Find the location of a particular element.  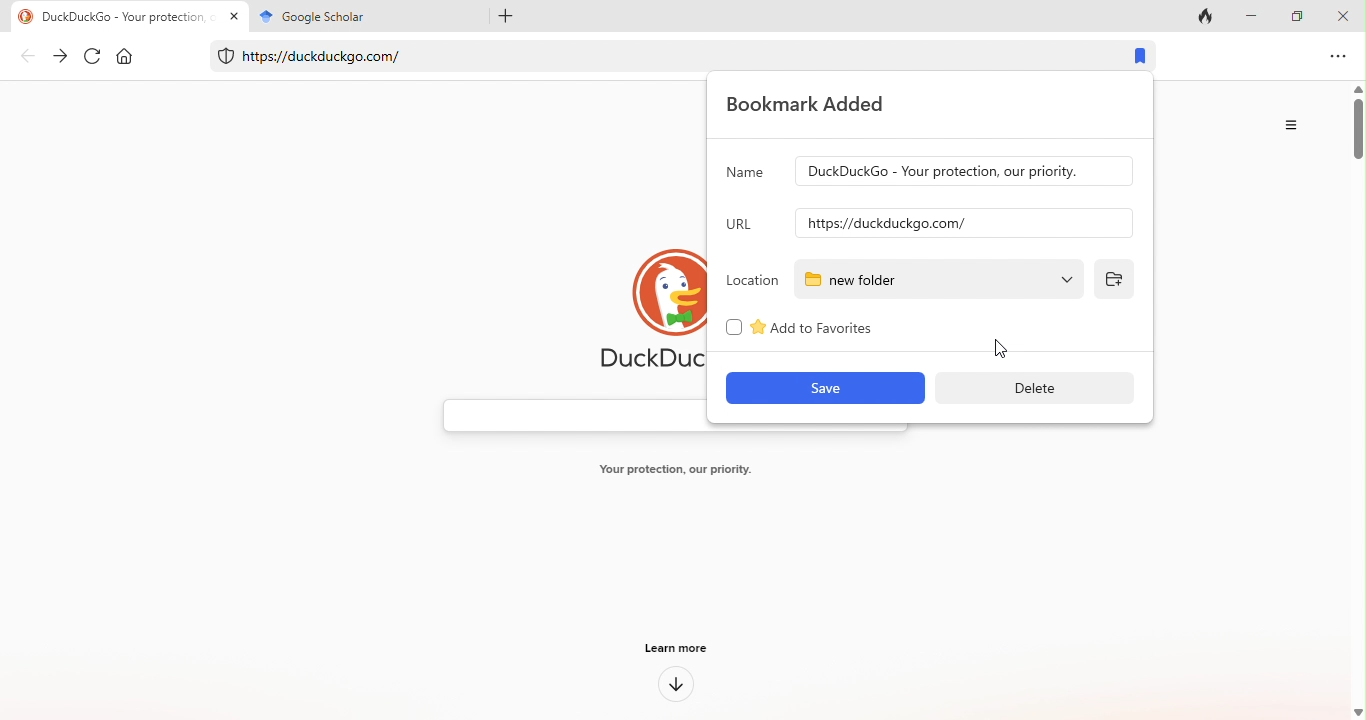

forward is located at coordinates (61, 56).